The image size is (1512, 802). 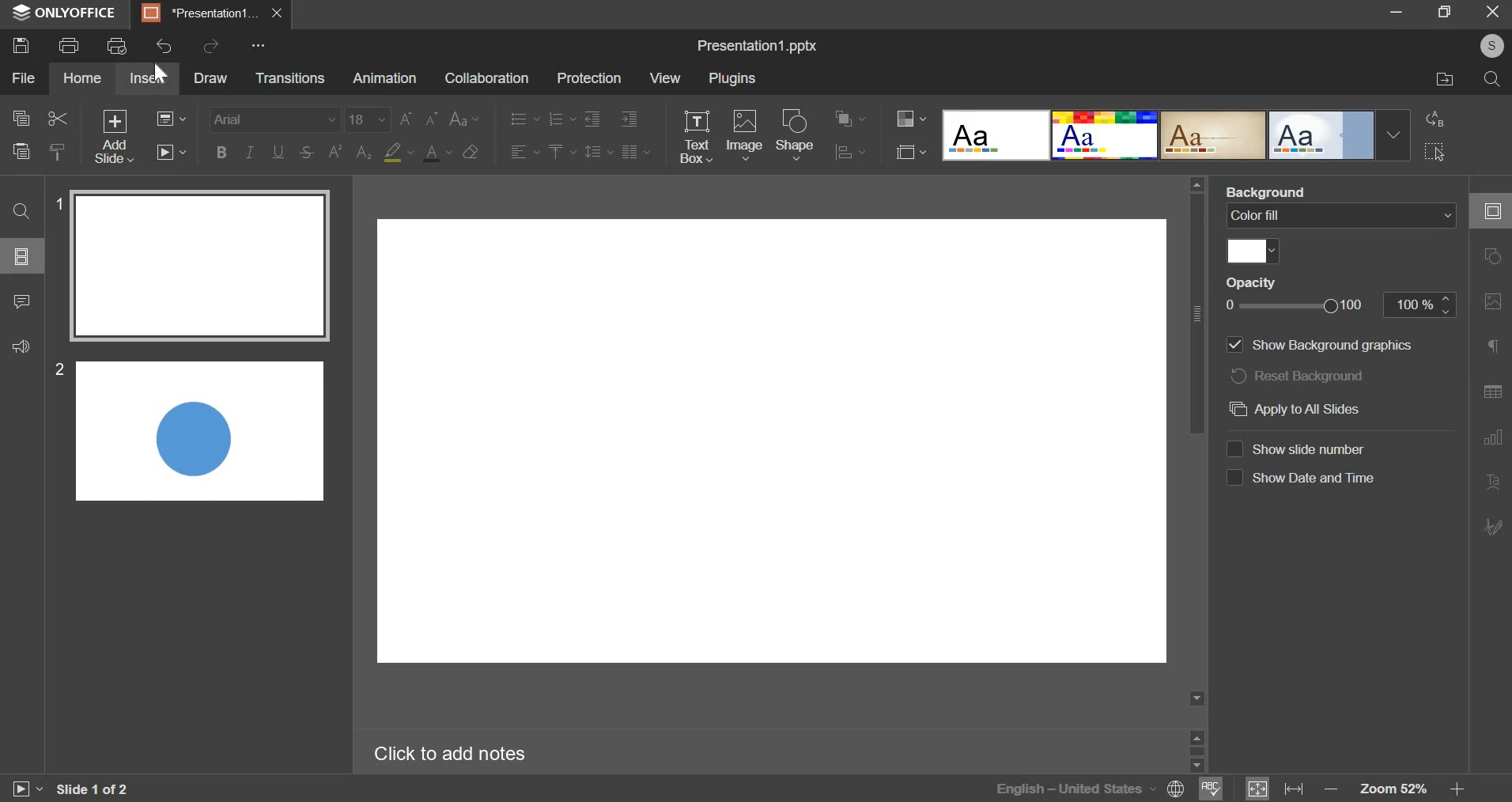 I want to click on account name, so click(x=1491, y=46).